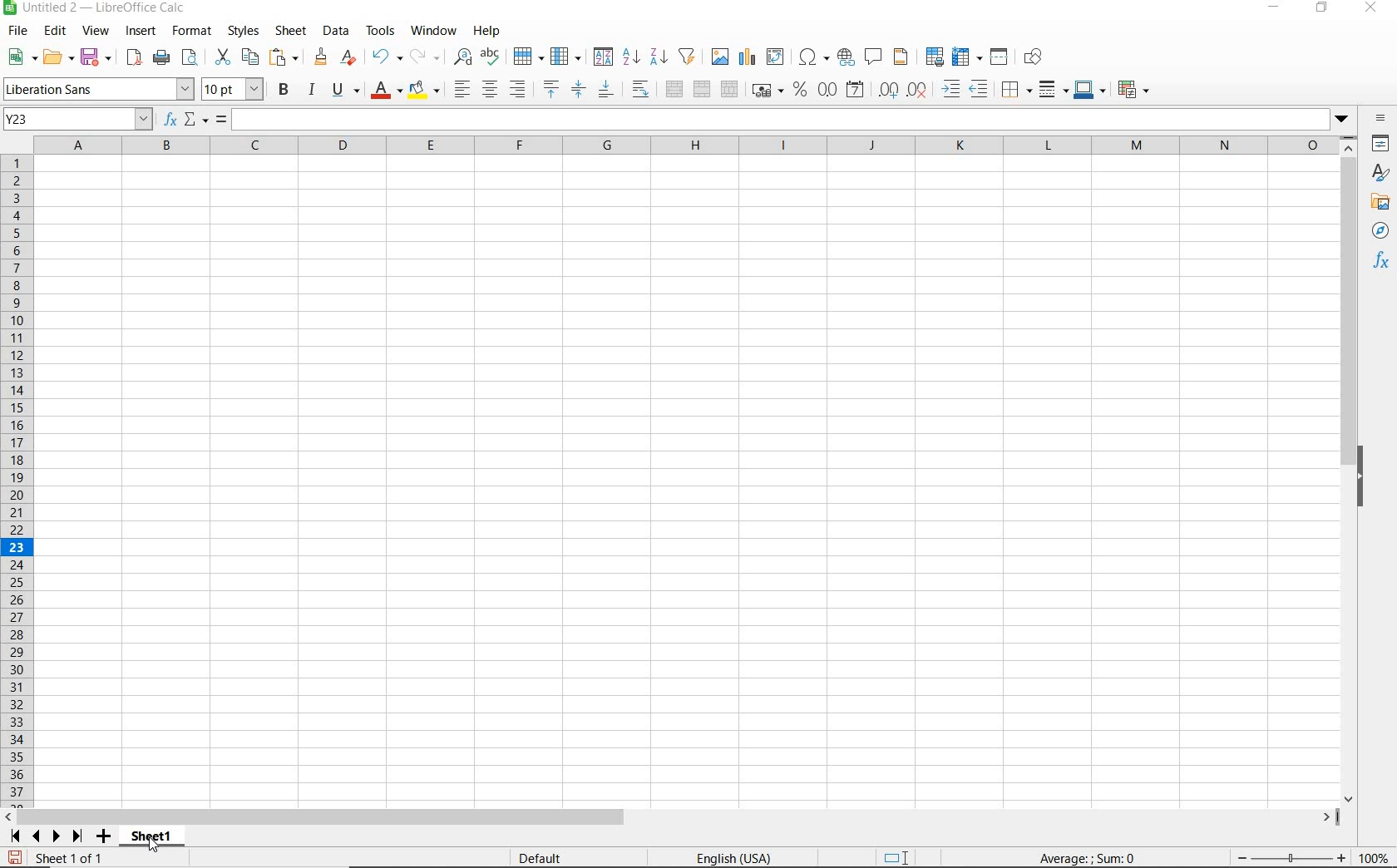 The width and height of the screenshot is (1397, 868). Describe the element at coordinates (1380, 118) in the screenshot. I see `SIDEBAR SETTINGS` at that location.